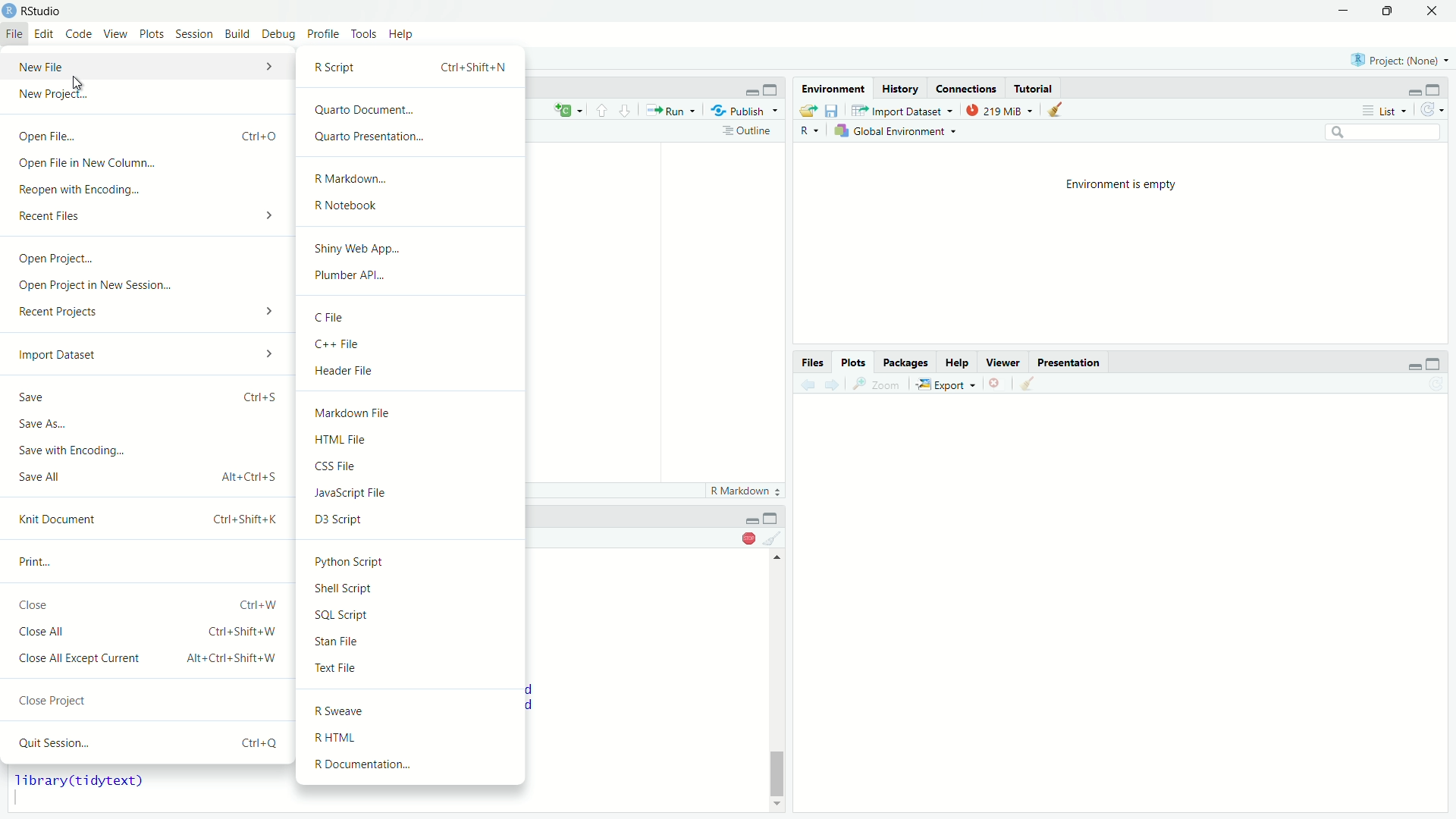  Describe the element at coordinates (146, 474) in the screenshot. I see `Save All` at that location.